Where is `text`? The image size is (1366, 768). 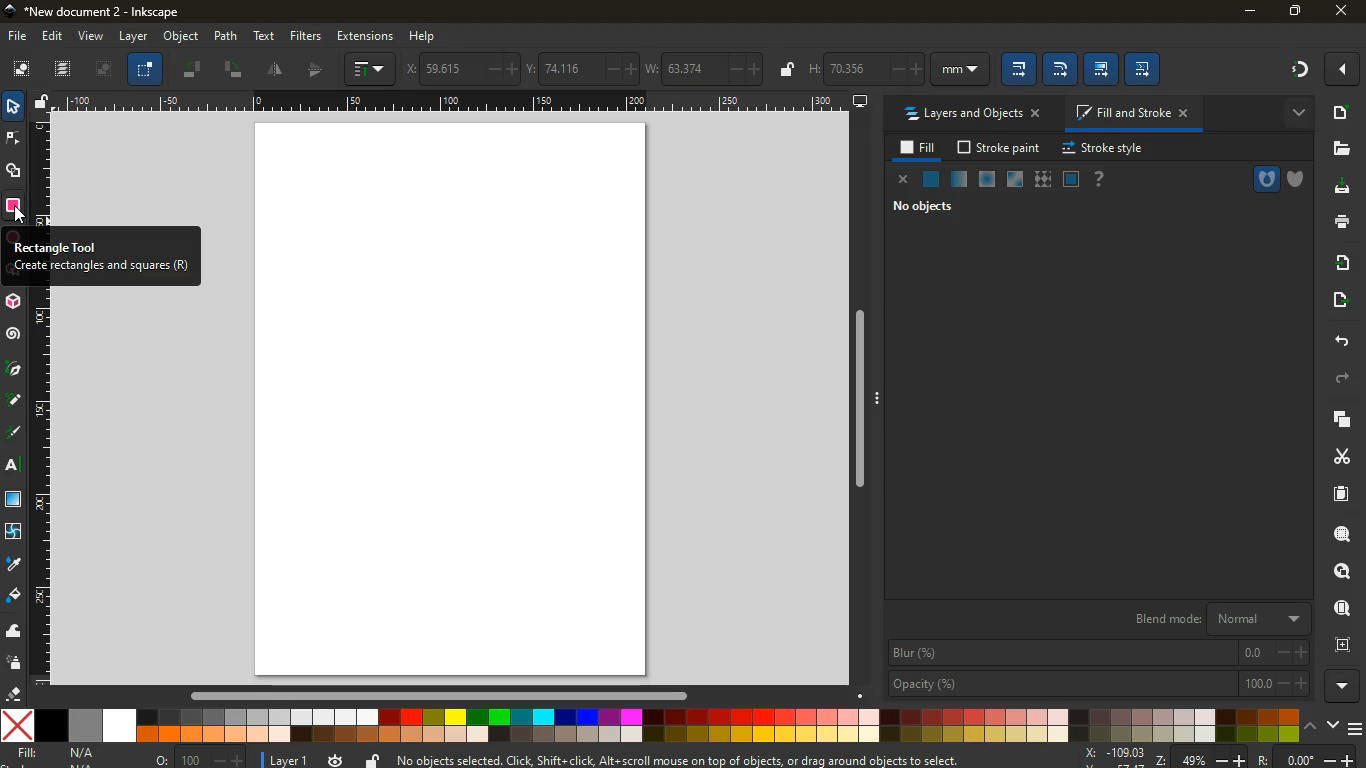 text is located at coordinates (15, 465).